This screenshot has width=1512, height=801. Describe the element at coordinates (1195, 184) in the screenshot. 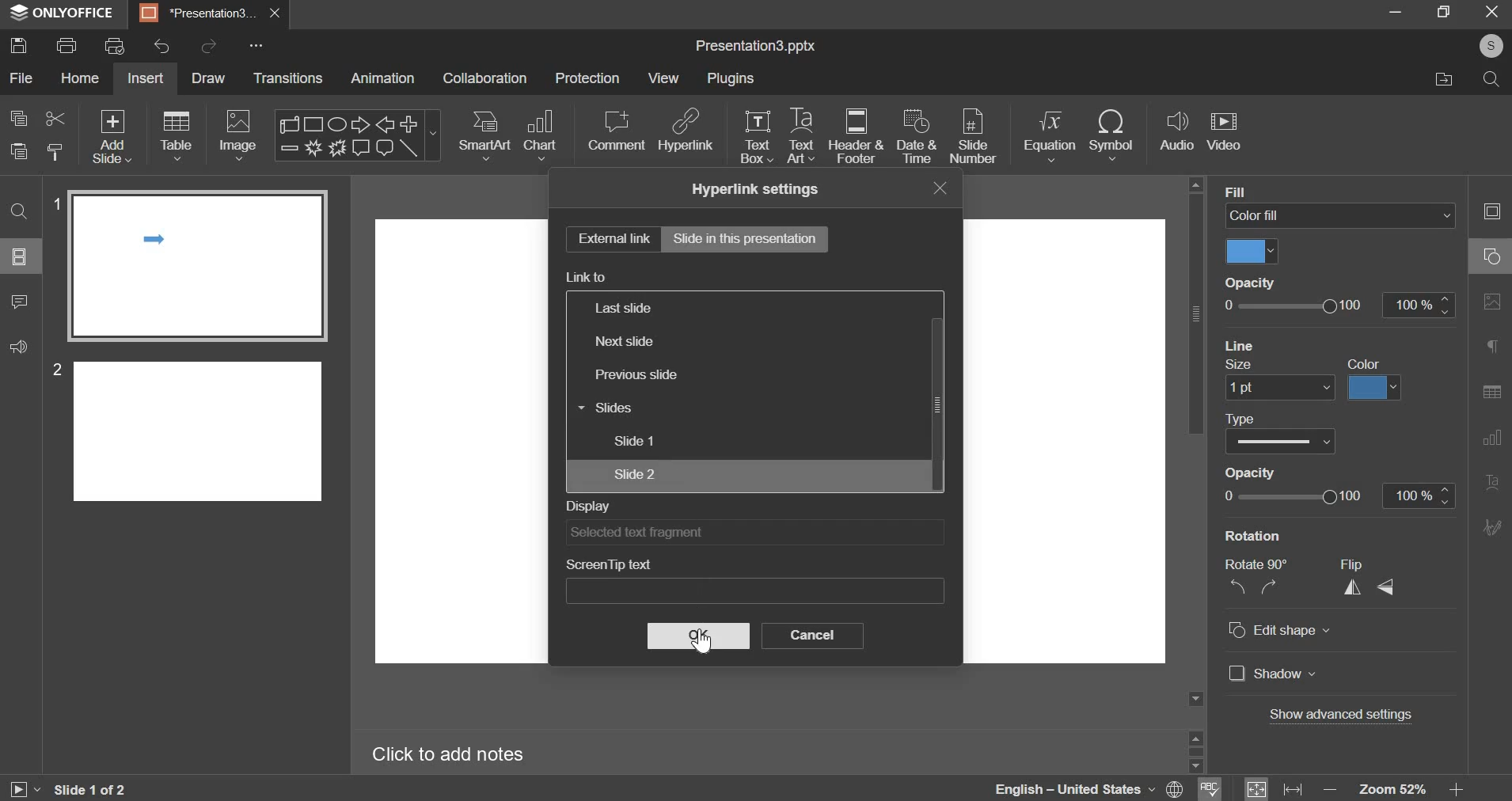

I see `Scroll up` at that location.